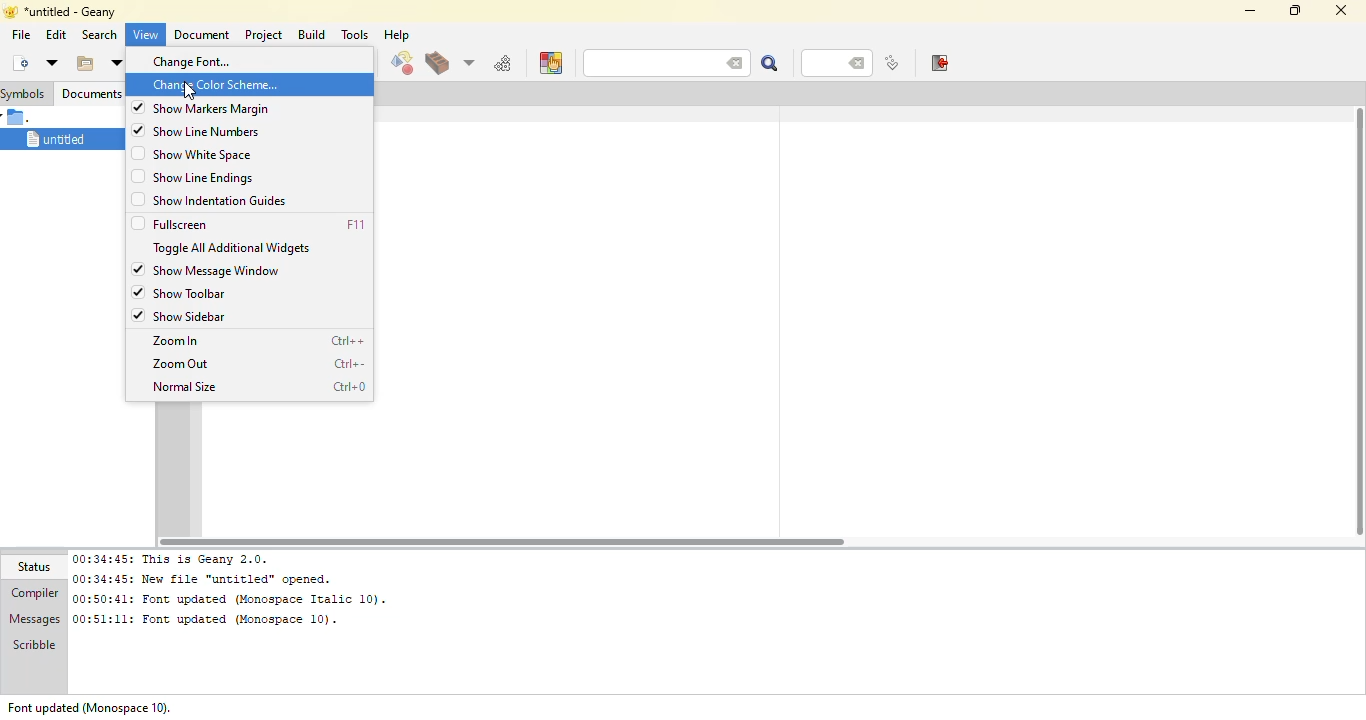 This screenshot has width=1366, height=720. I want to click on search, so click(97, 34).